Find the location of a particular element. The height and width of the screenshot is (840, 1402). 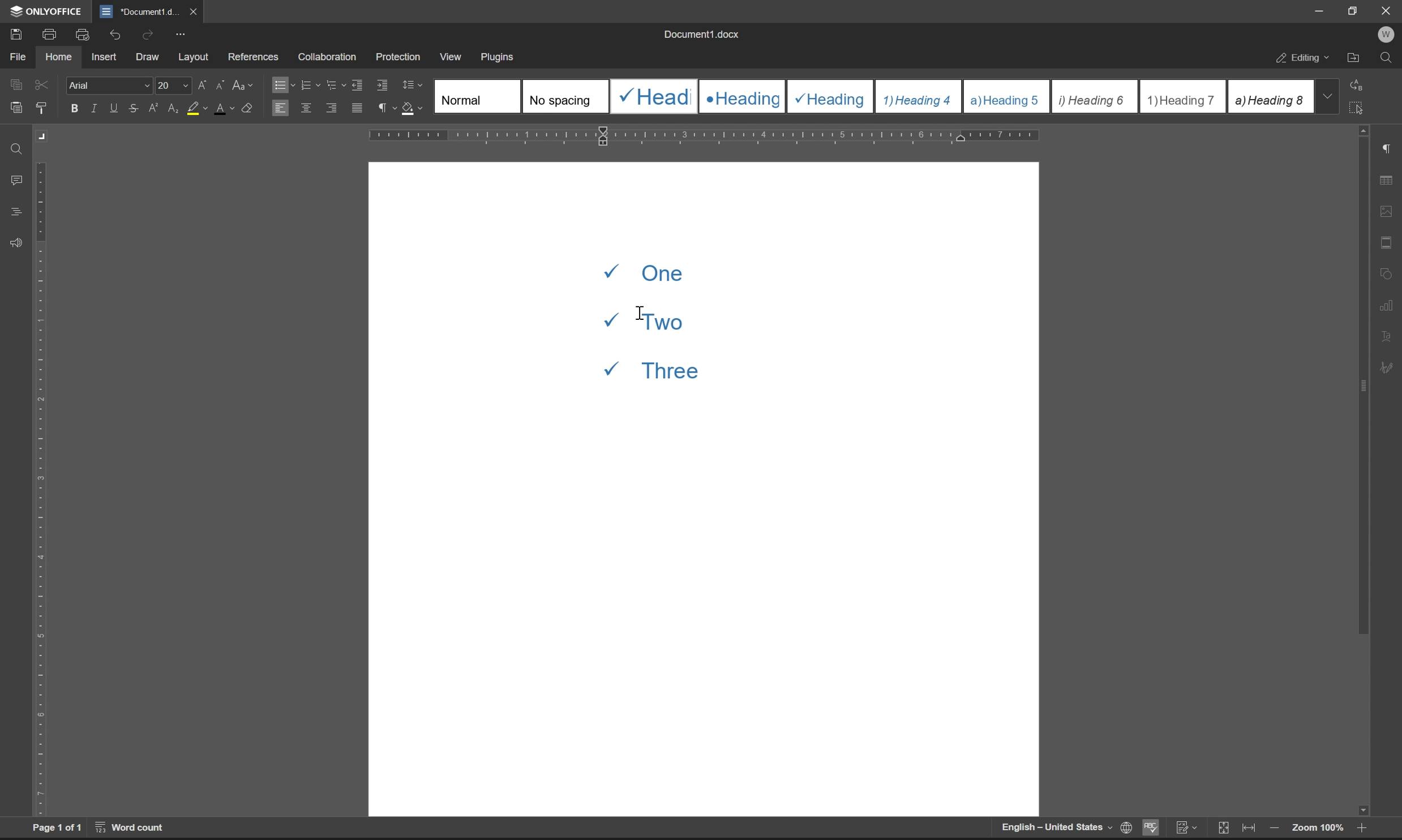

redo is located at coordinates (150, 34).